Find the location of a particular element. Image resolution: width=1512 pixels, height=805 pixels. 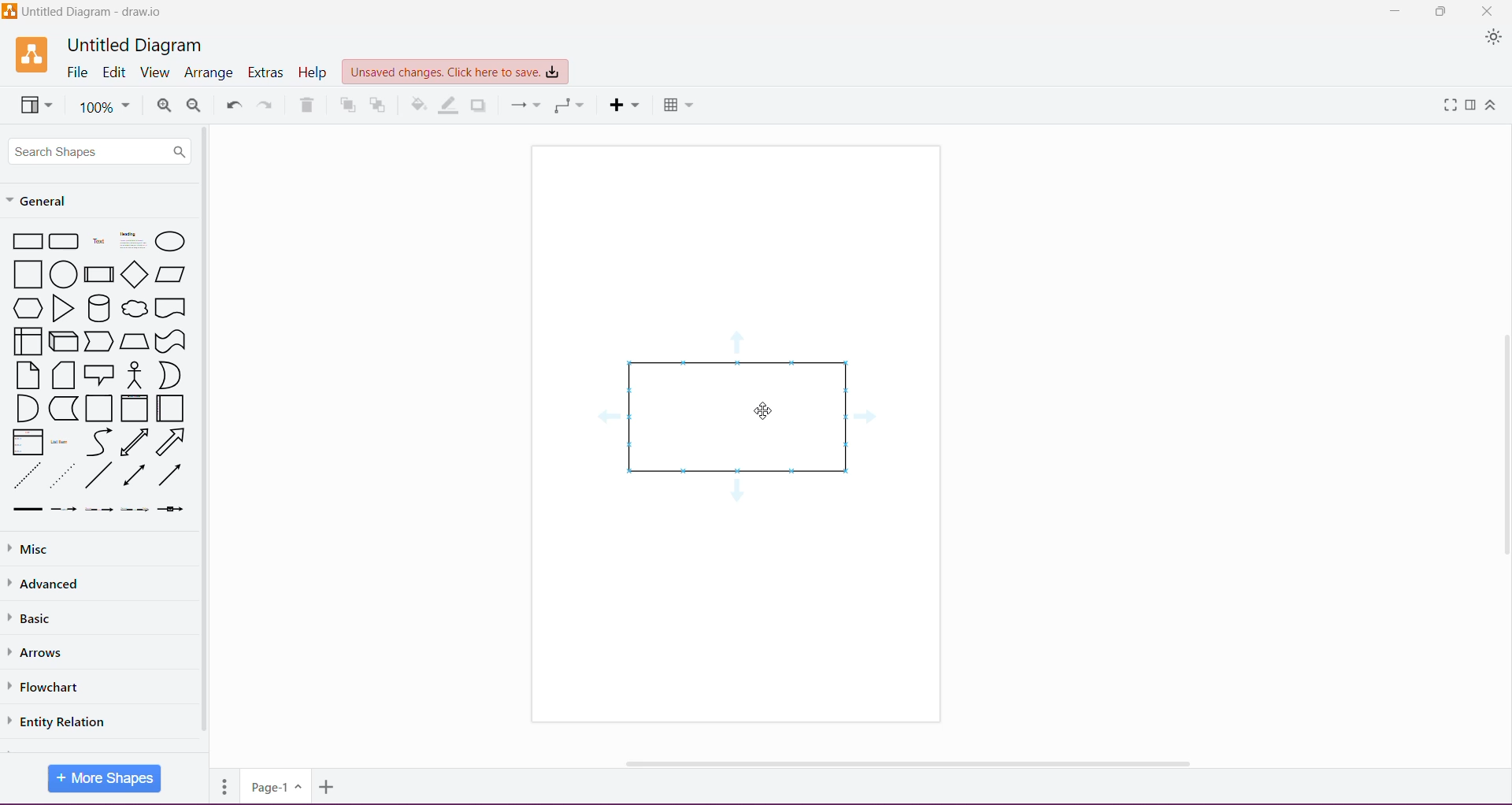

Close is located at coordinates (1486, 11).